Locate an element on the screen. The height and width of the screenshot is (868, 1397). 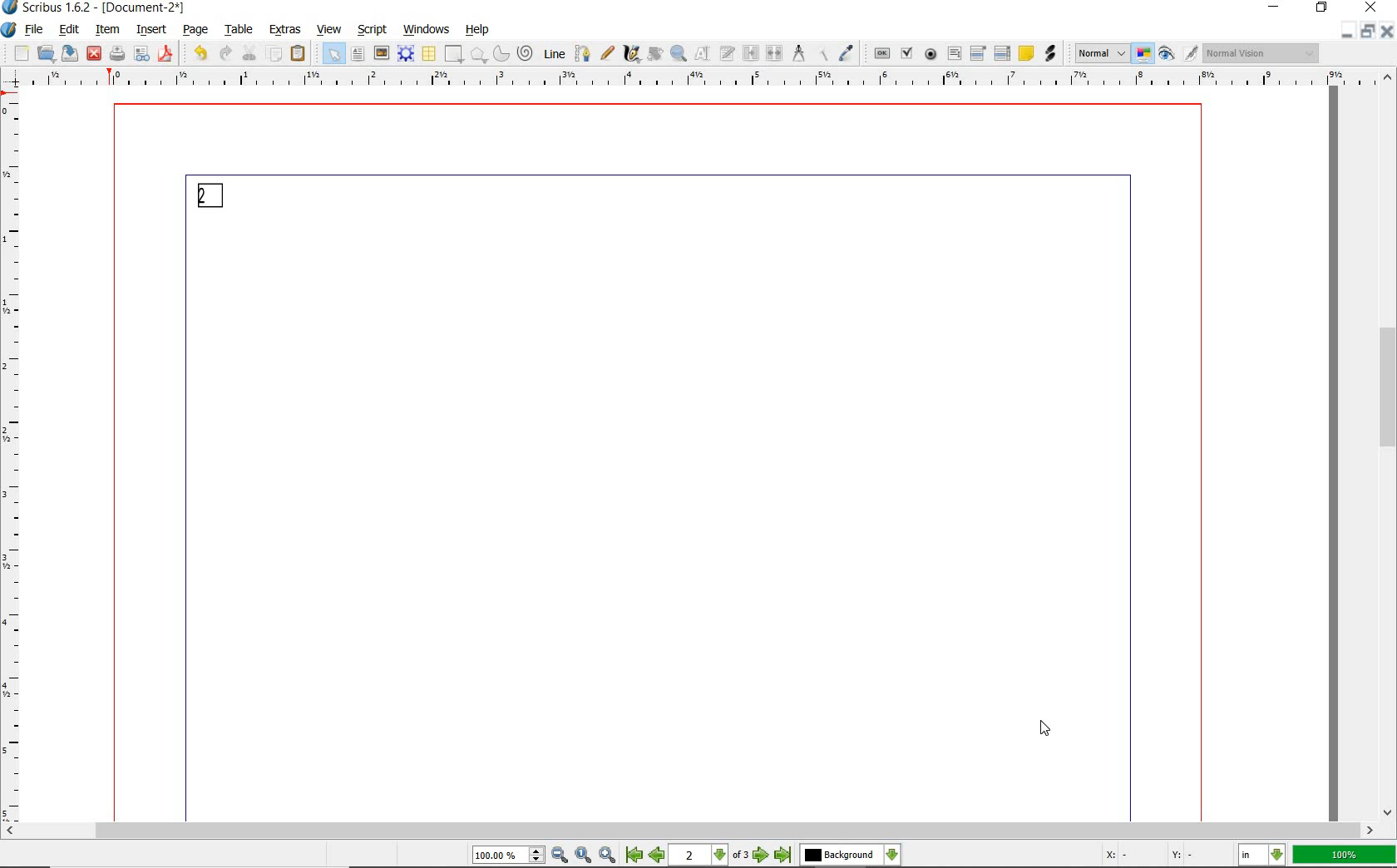
toggle color management is located at coordinates (1144, 56).